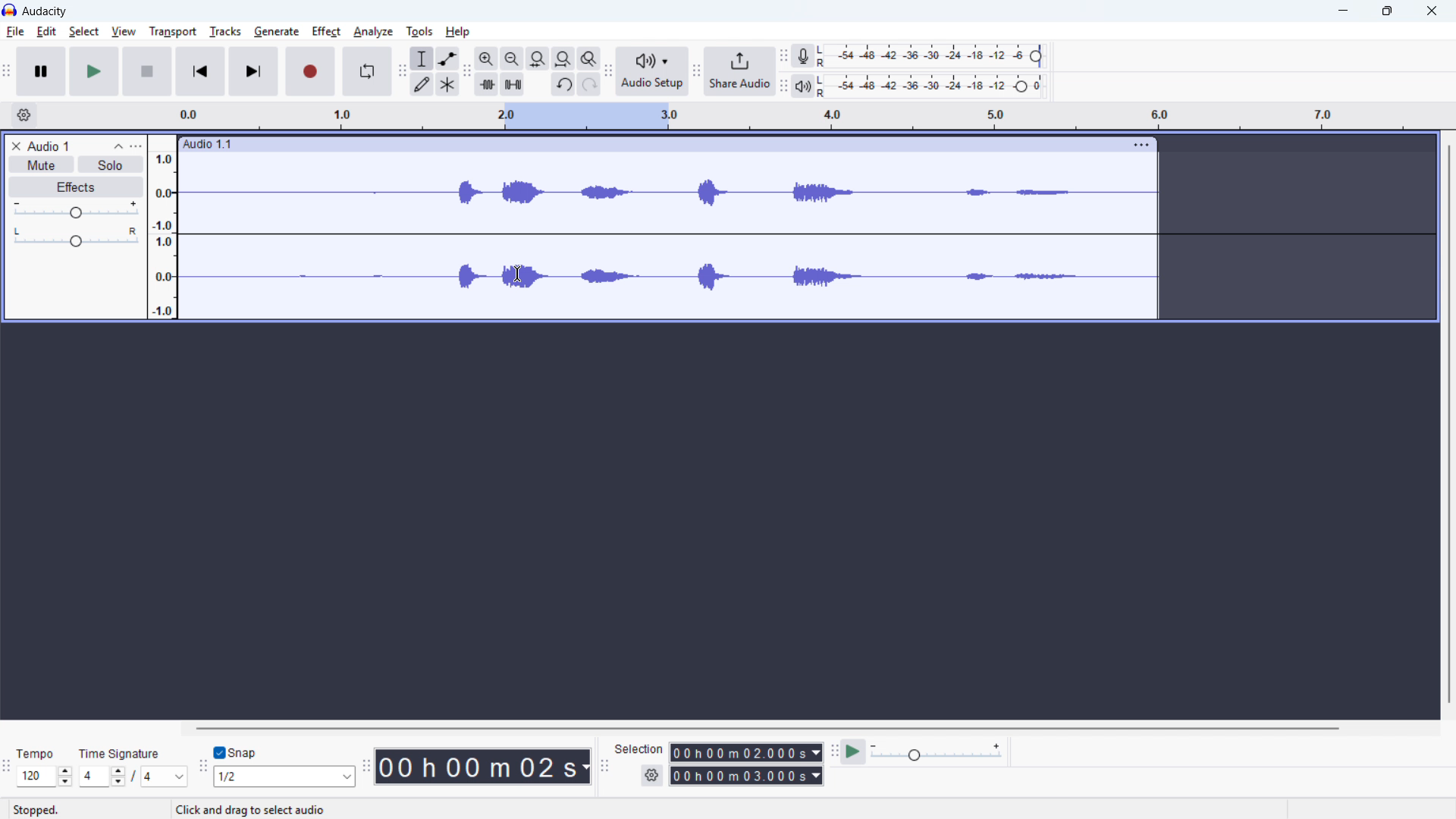  What do you see at coordinates (254, 72) in the screenshot?
I see `Skip to last` at bounding box center [254, 72].